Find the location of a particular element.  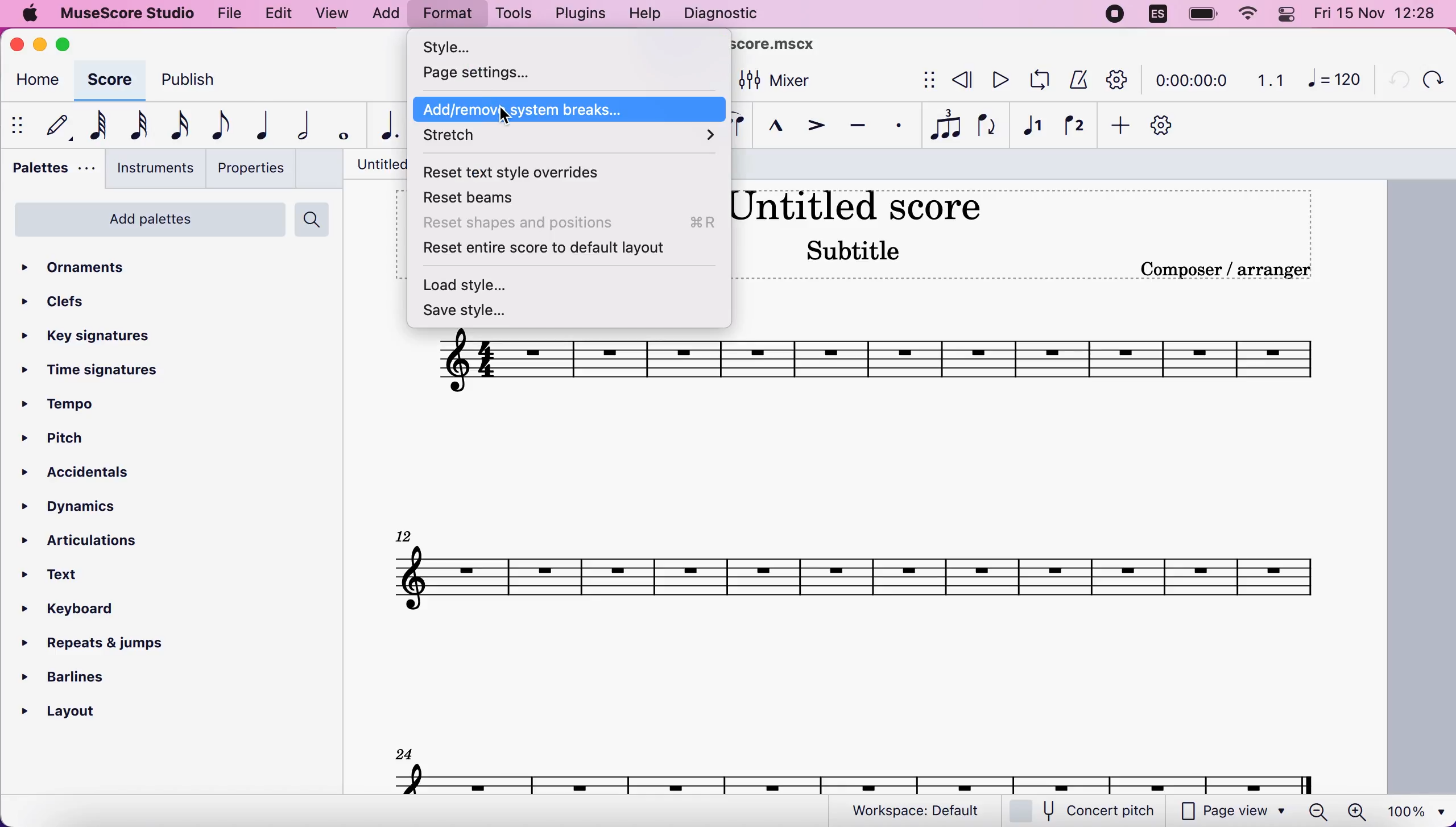

Subtitle is located at coordinates (856, 249).